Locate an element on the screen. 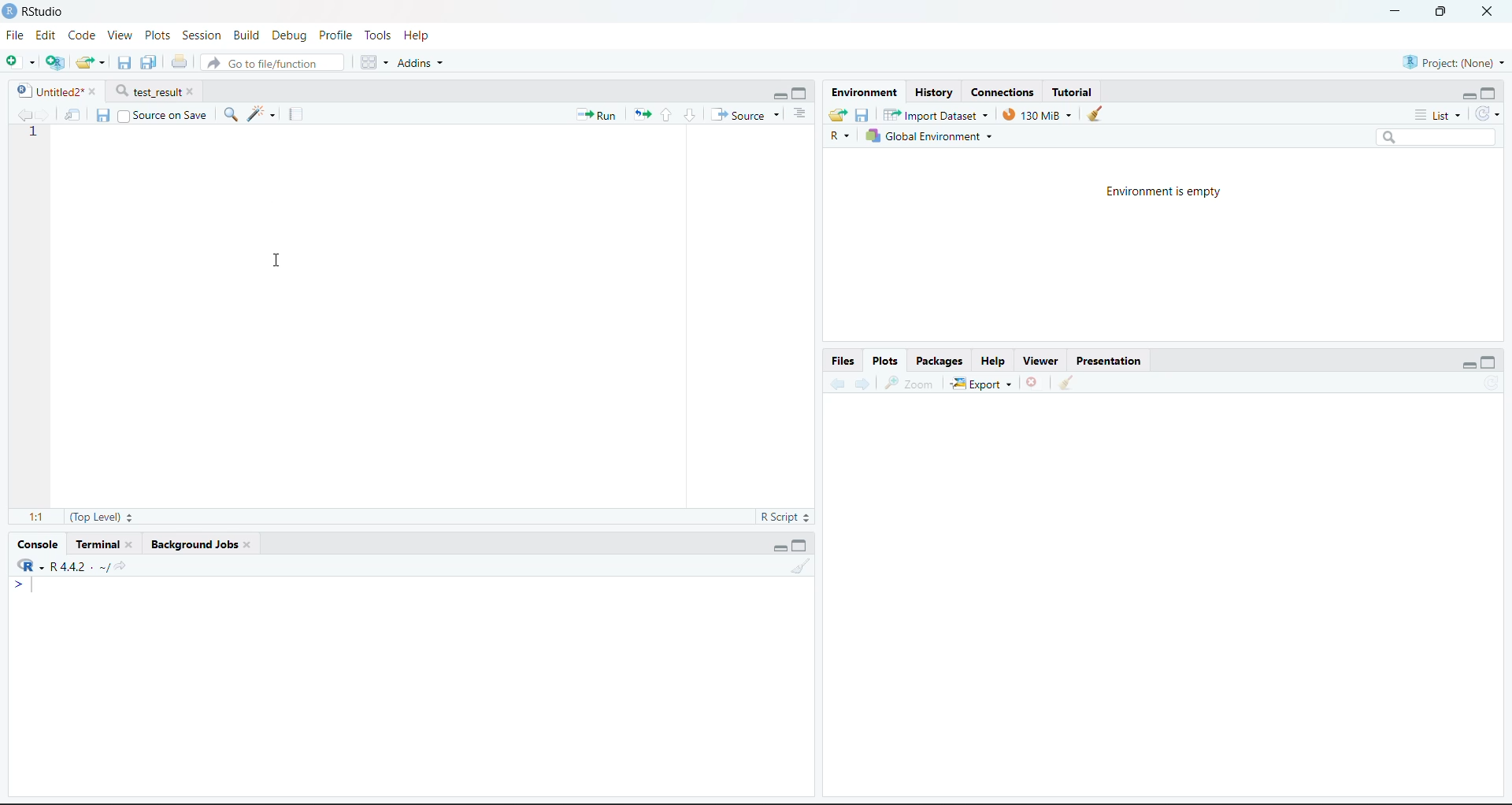 Image resolution: width=1512 pixels, height=805 pixels. Clear console (Ctrl +L) is located at coordinates (798, 565).